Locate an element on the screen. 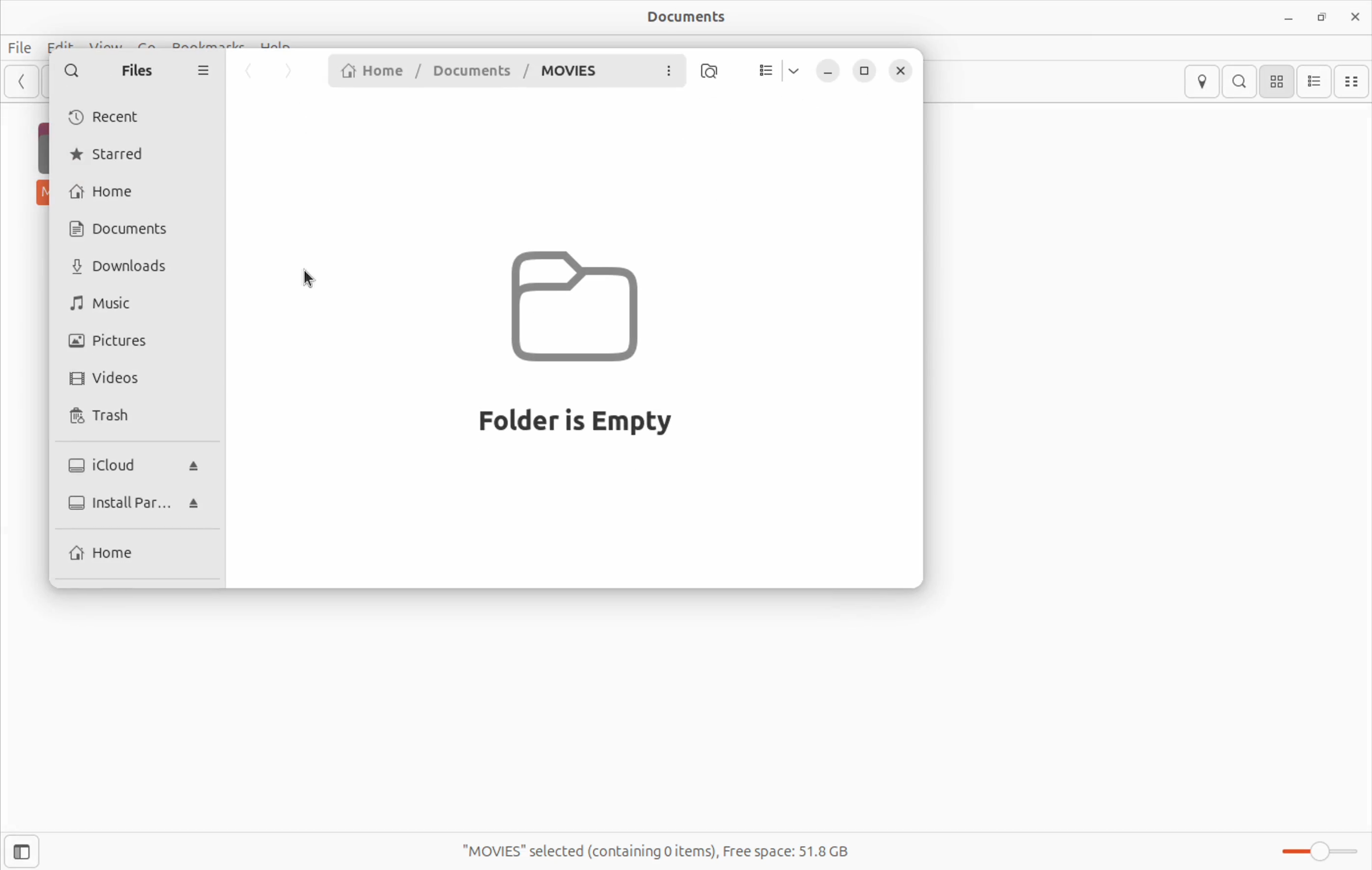  minimize is located at coordinates (828, 69).